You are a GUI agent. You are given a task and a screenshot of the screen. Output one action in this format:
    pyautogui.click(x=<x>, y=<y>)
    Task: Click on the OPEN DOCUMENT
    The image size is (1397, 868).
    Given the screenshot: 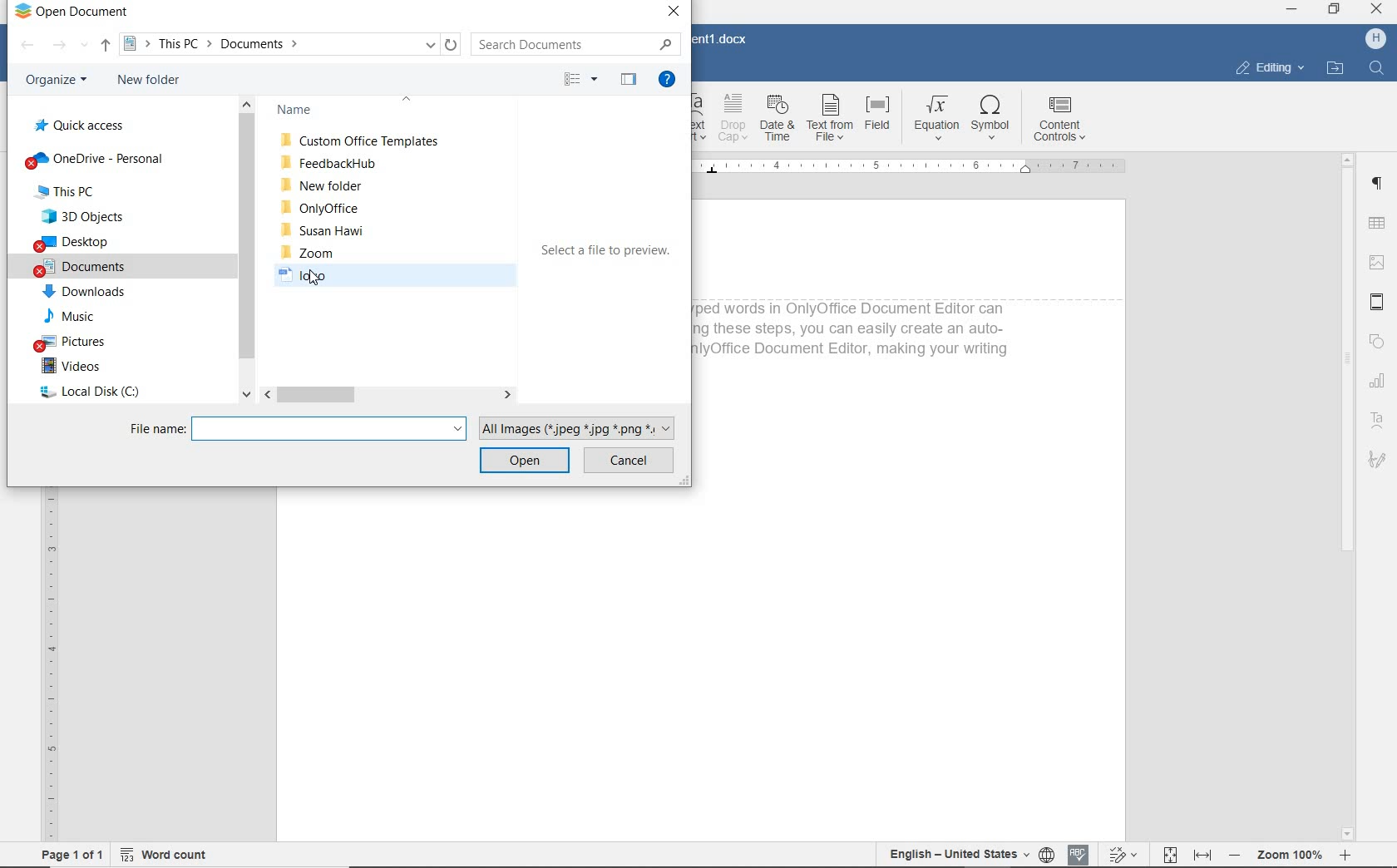 What is the action you would take?
    pyautogui.click(x=71, y=13)
    